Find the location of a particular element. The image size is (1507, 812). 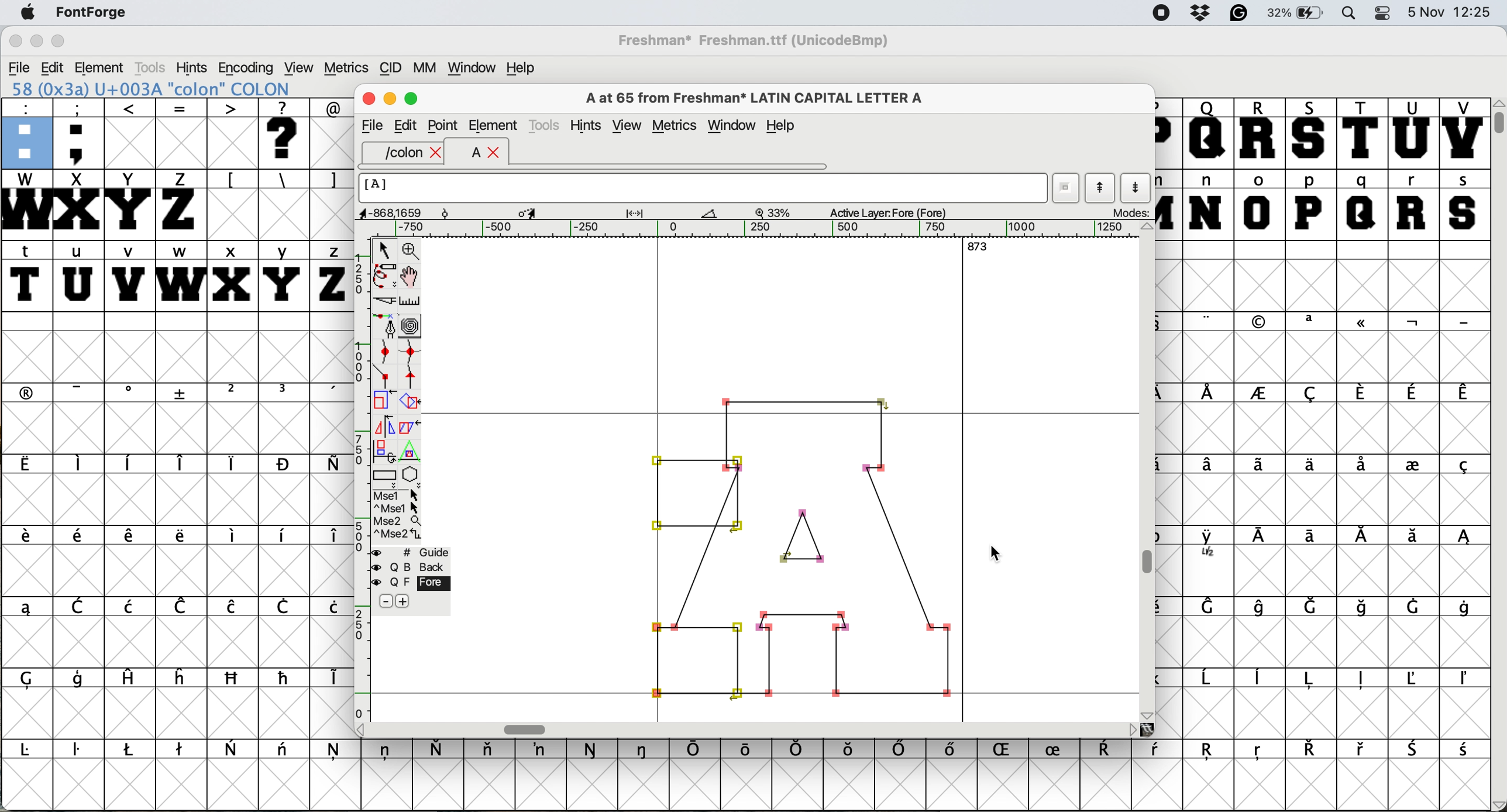

show next character is located at coordinates (1136, 186).